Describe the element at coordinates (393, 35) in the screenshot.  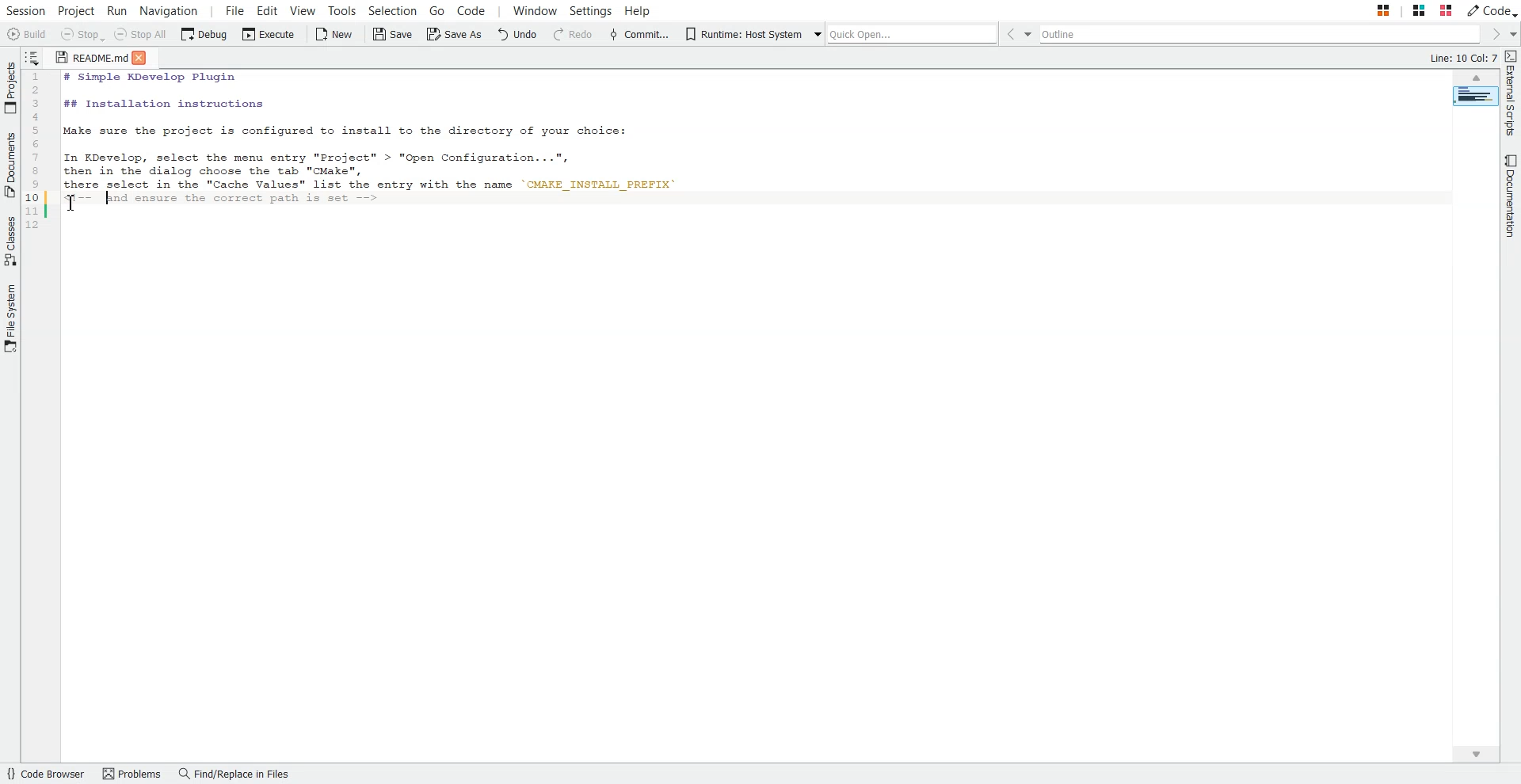
I see `Save` at that location.